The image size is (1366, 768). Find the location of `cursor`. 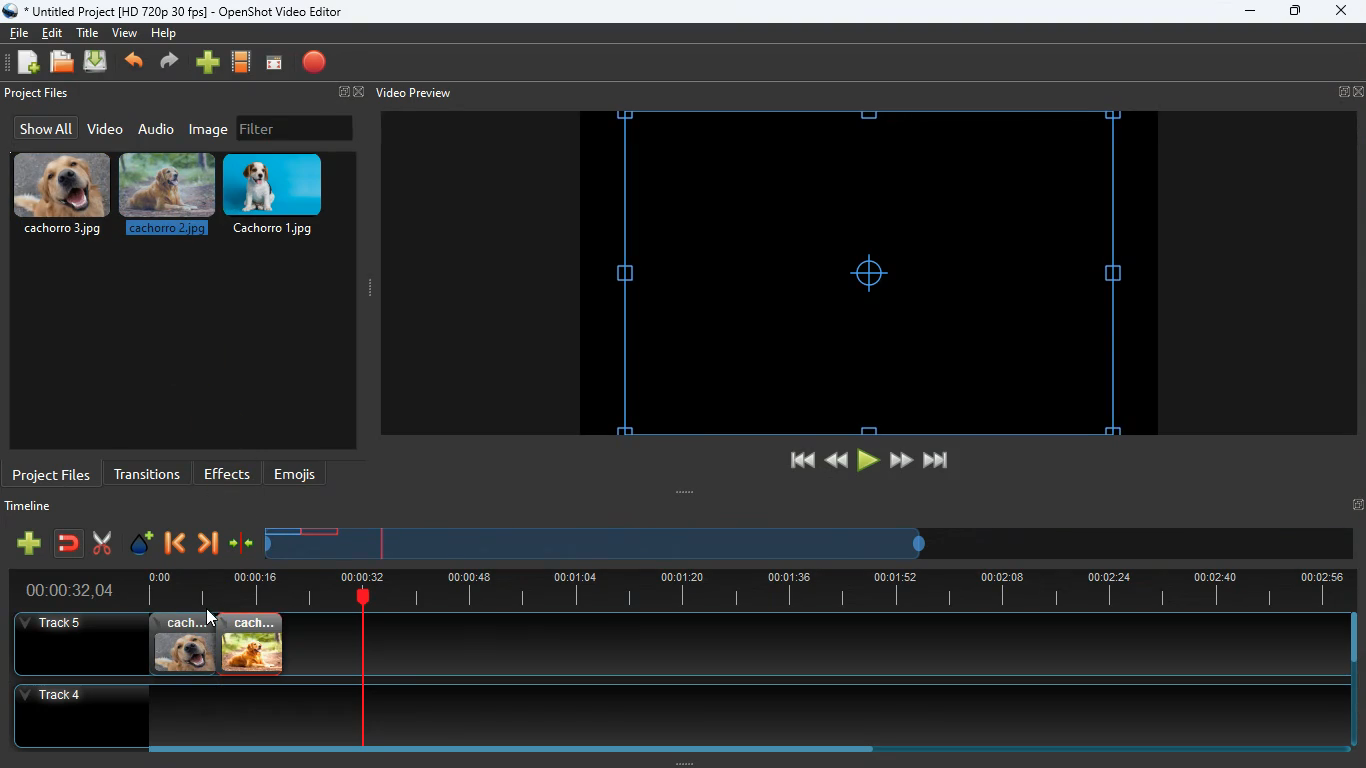

cursor is located at coordinates (212, 617).